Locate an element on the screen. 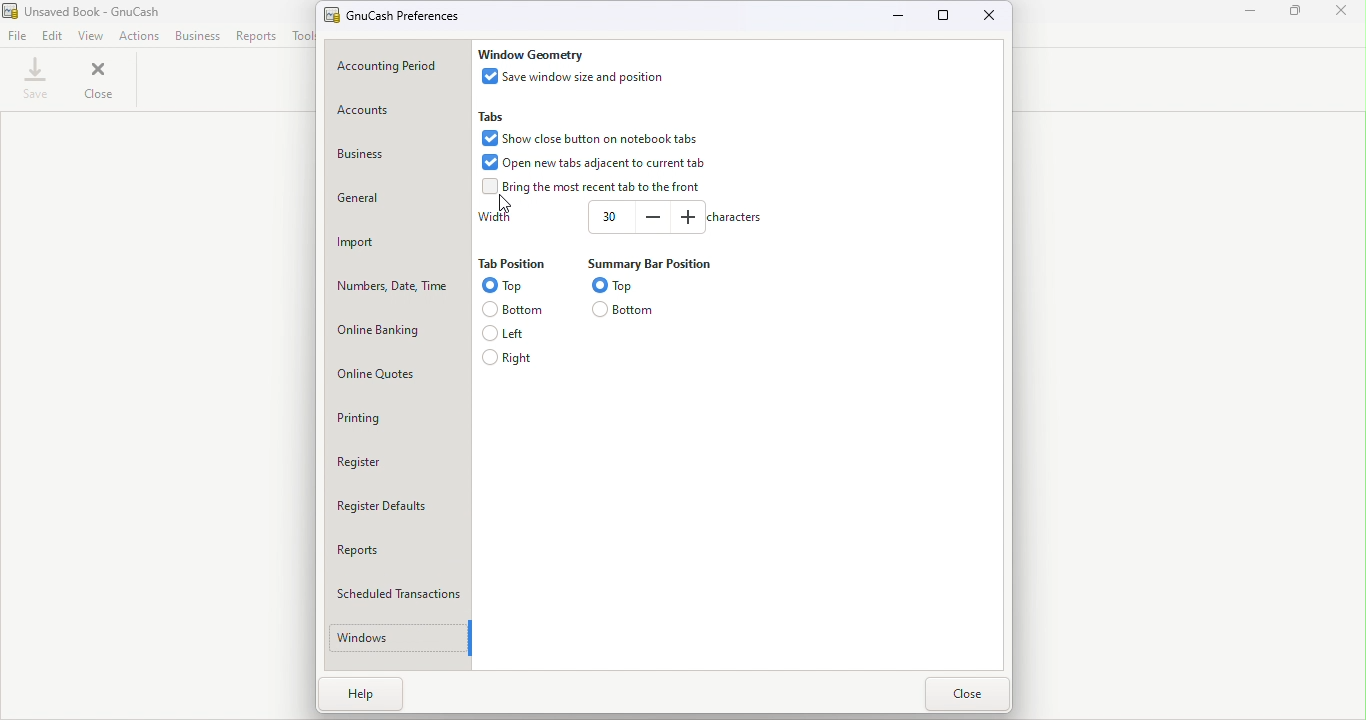 The height and width of the screenshot is (720, 1366). decrease is located at coordinates (653, 216).